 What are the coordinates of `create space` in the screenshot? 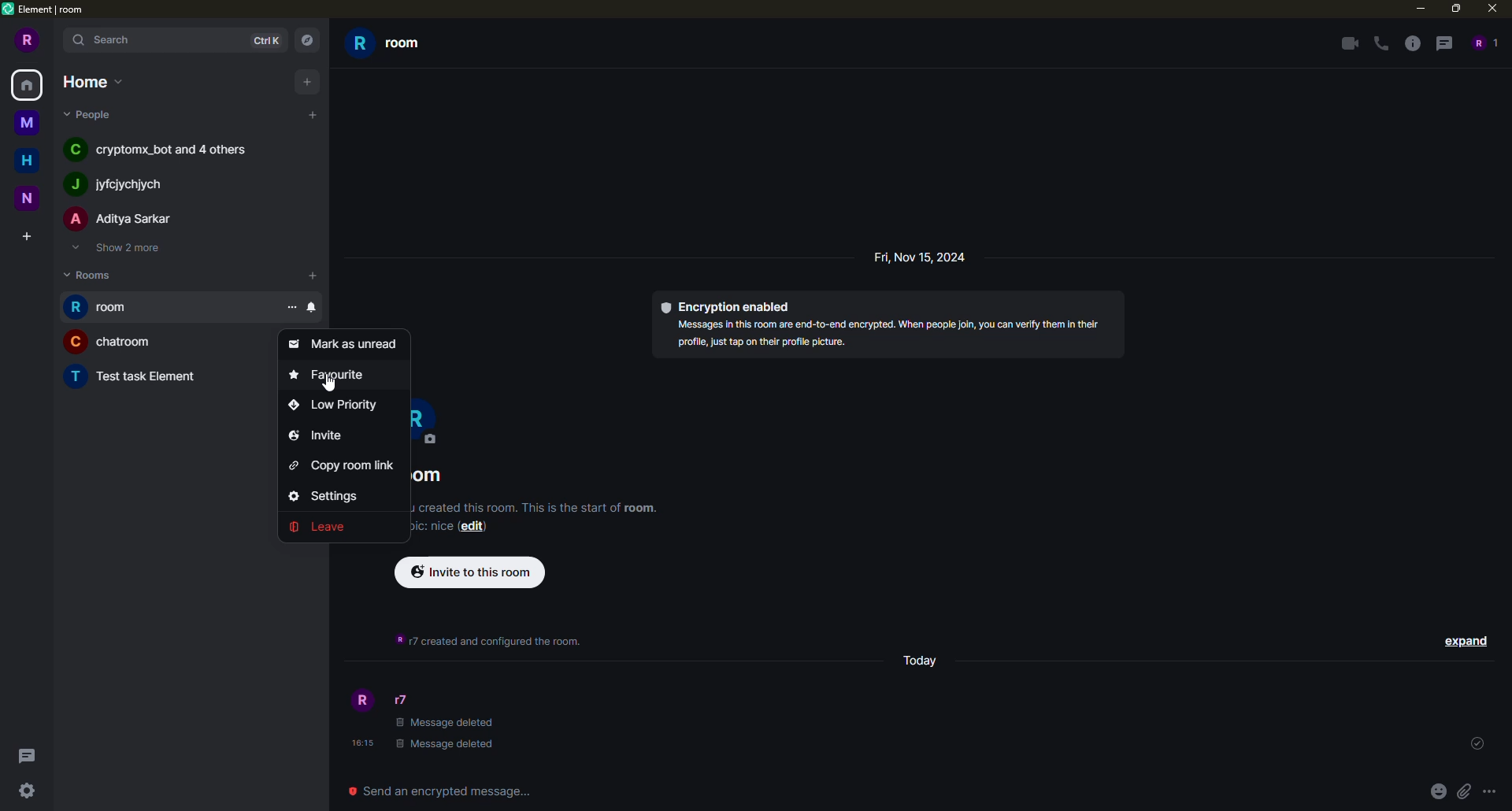 It's located at (28, 231).